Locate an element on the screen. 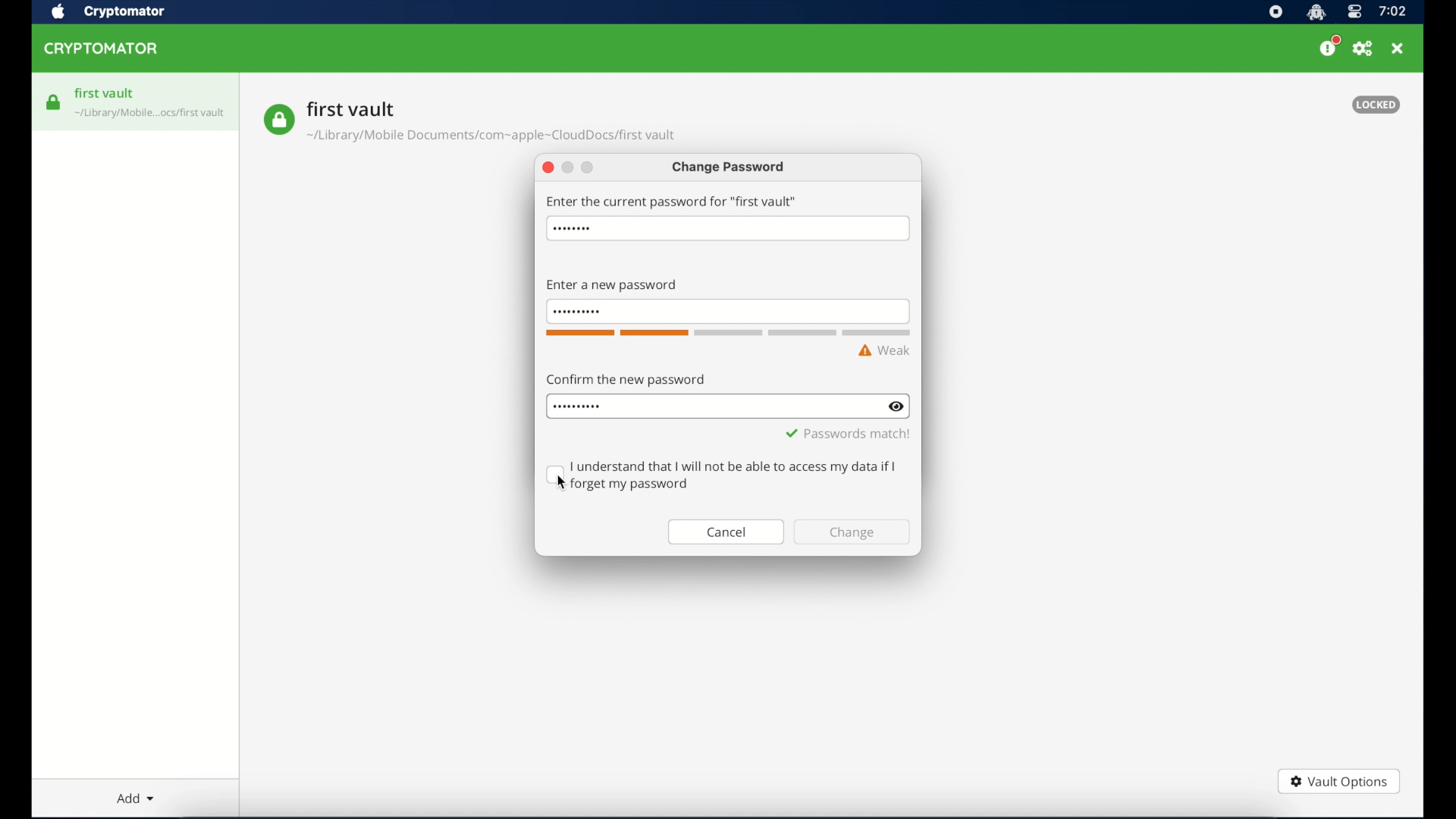 This screenshot has width=1456, height=819. cancel is located at coordinates (726, 532).